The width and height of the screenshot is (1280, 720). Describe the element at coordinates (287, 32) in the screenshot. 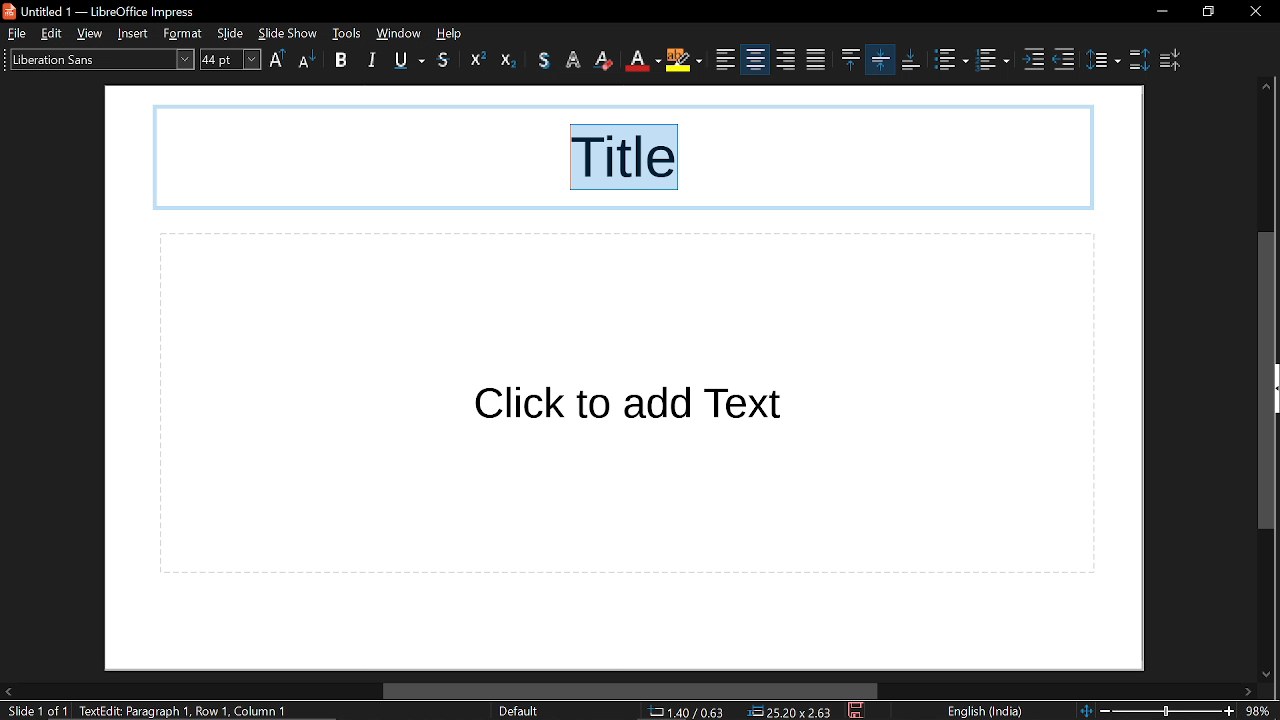

I see `slide show` at that location.